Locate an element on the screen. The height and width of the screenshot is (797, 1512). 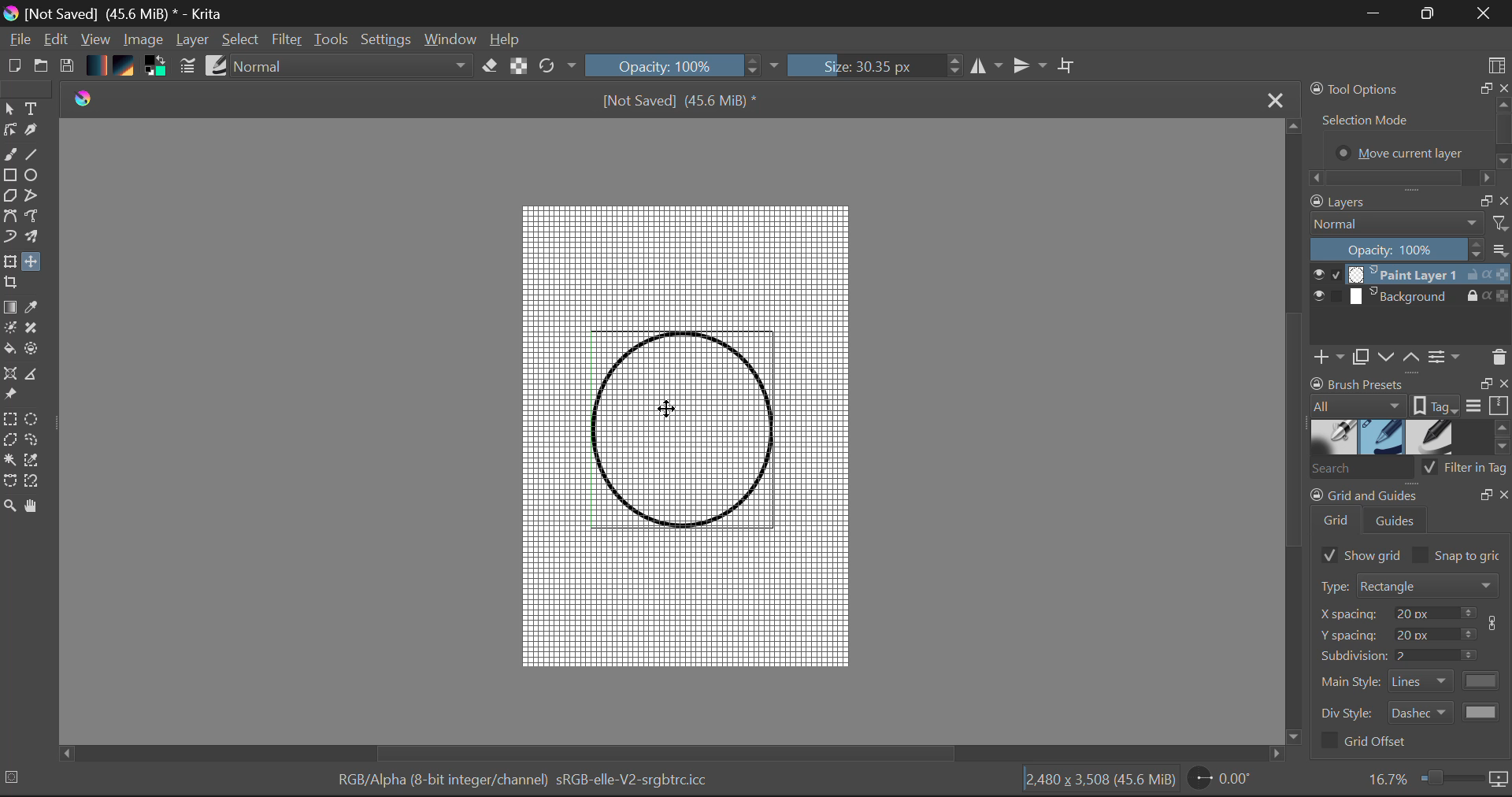
Bezier Curve is located at coordinates (9, 218).